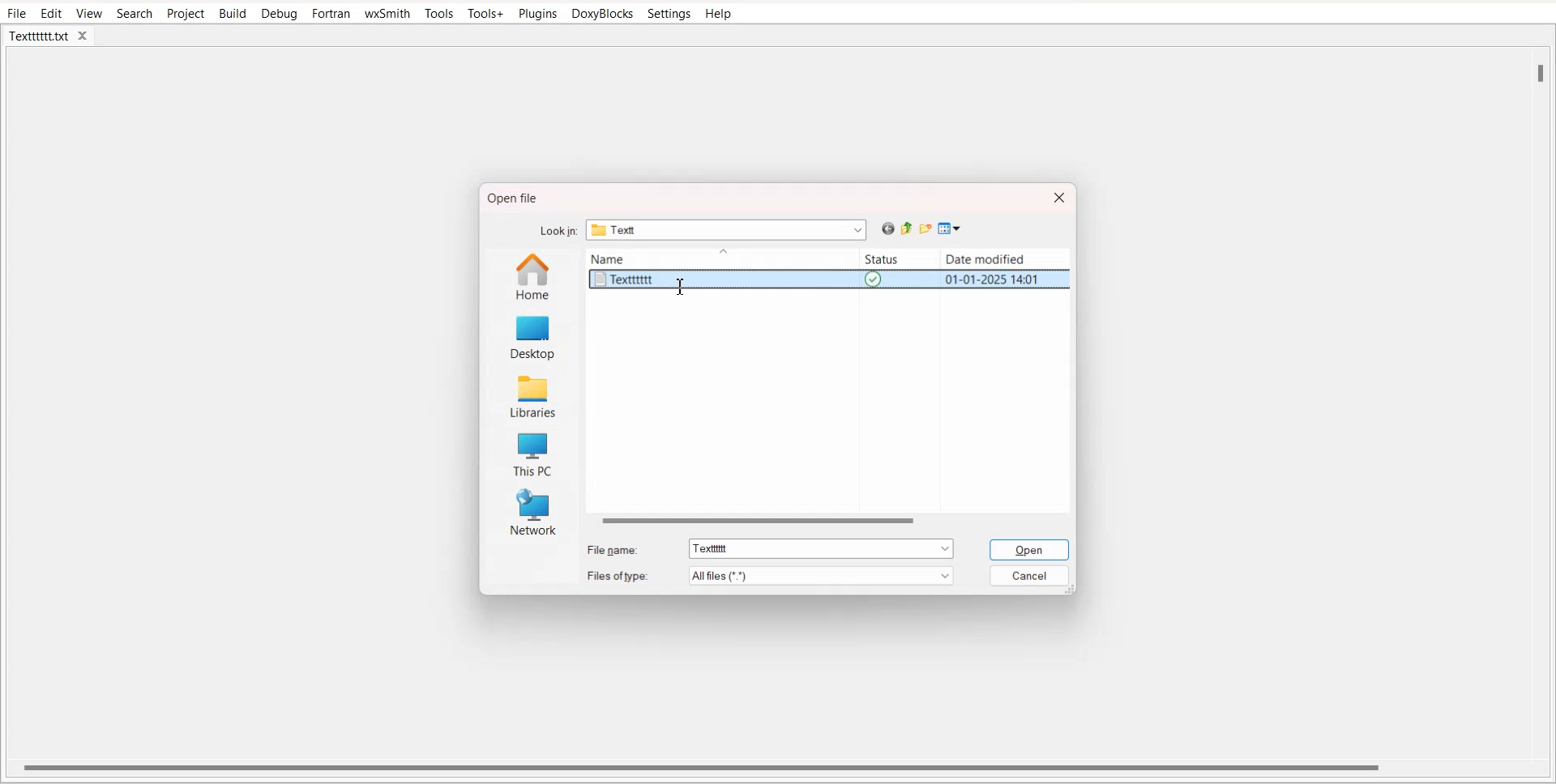 This screenshot has height=784, width=1556. What do you see at coordinates (908, 228) in the screenshot?
I see `Up one level` at bounding box center [908, 228].